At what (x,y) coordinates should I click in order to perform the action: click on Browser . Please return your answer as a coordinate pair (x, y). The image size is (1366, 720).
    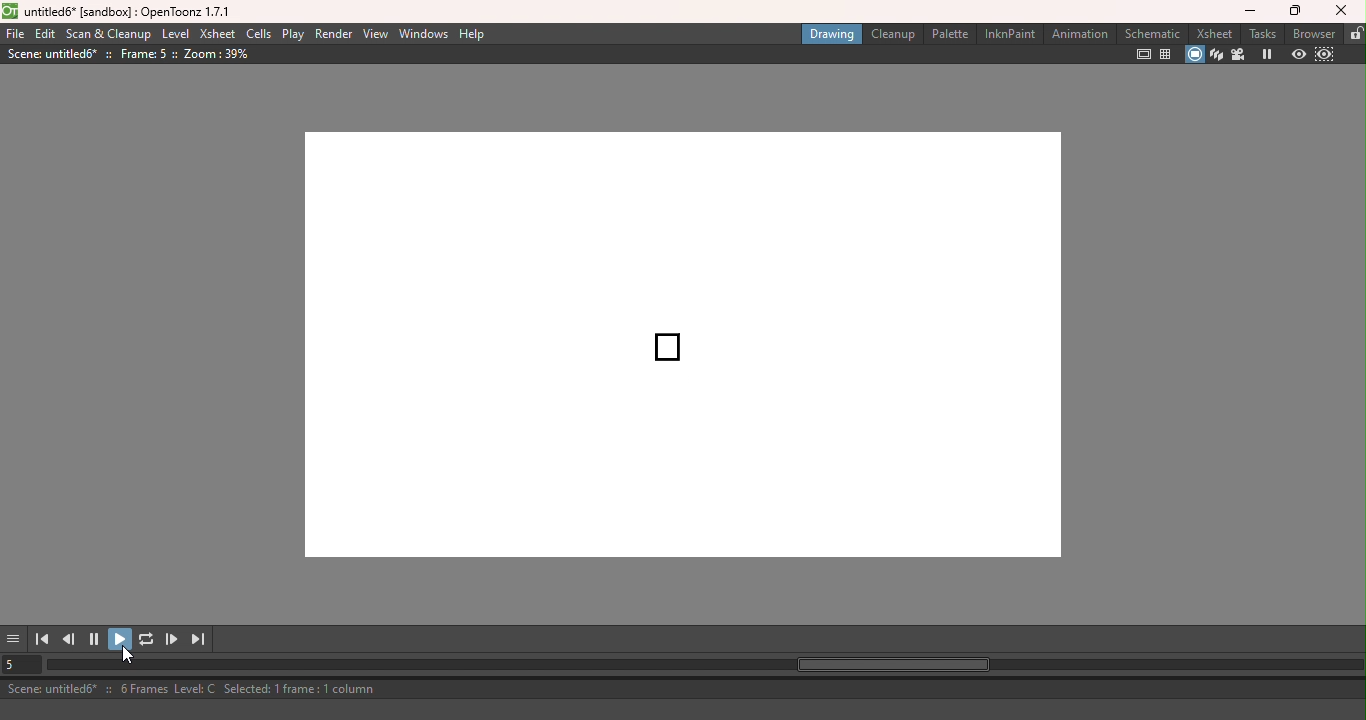
    Looking at the image, I should click on (1312, 34).